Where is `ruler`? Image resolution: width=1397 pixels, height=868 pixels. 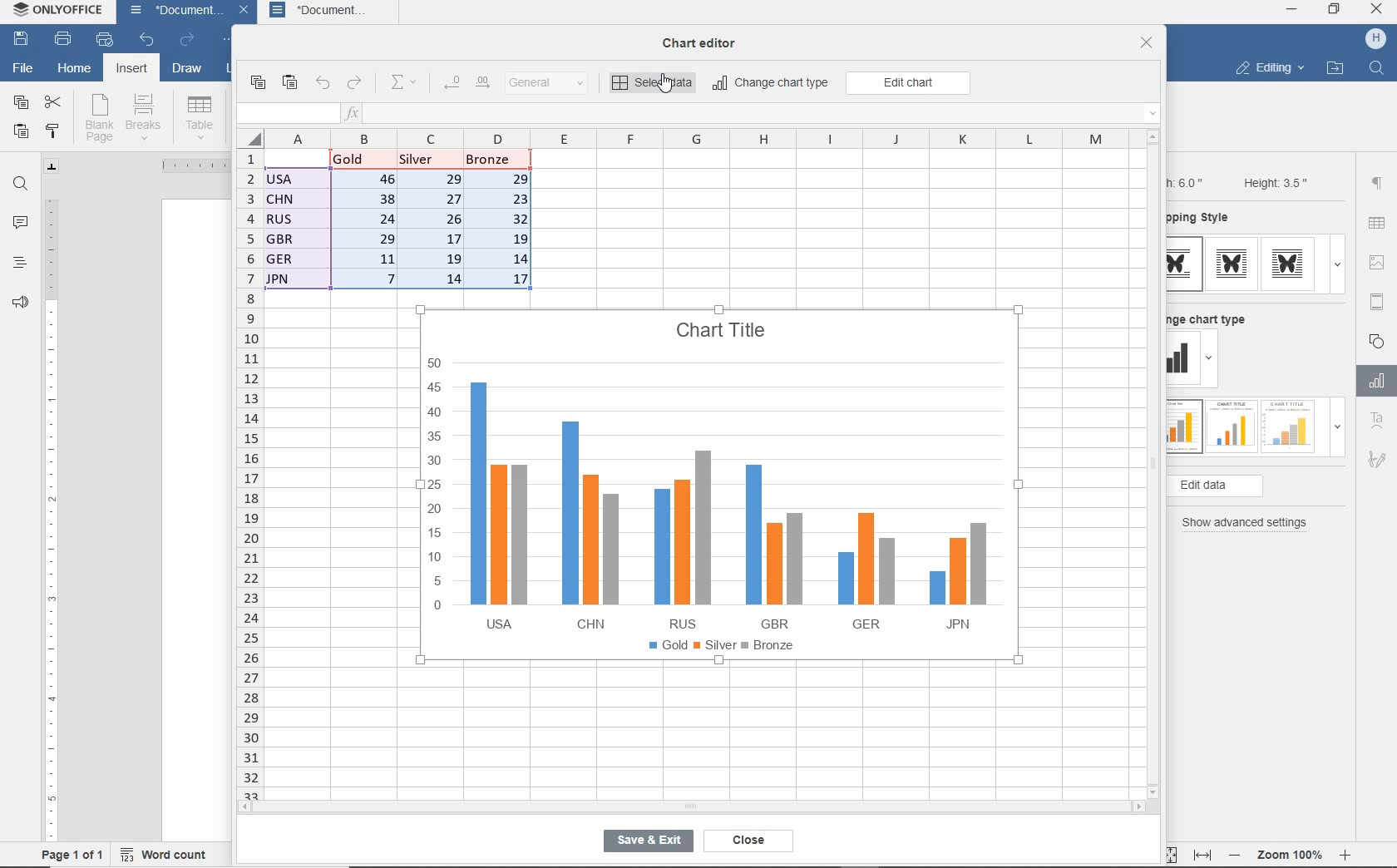
ruler is located at coordinates (51, 513).